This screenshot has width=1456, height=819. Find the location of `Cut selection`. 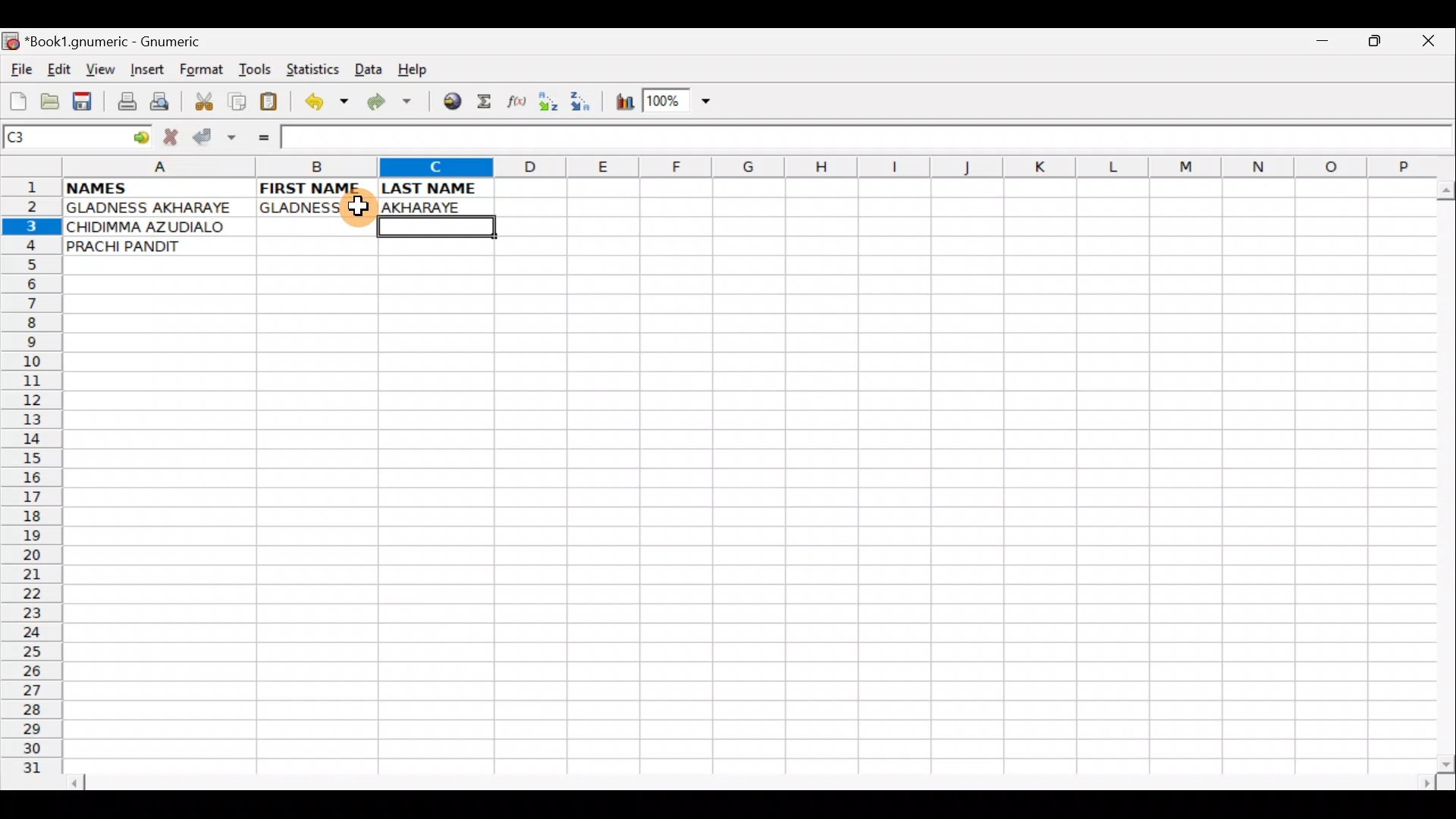

Cut selection is located at coordinates (203, 99).